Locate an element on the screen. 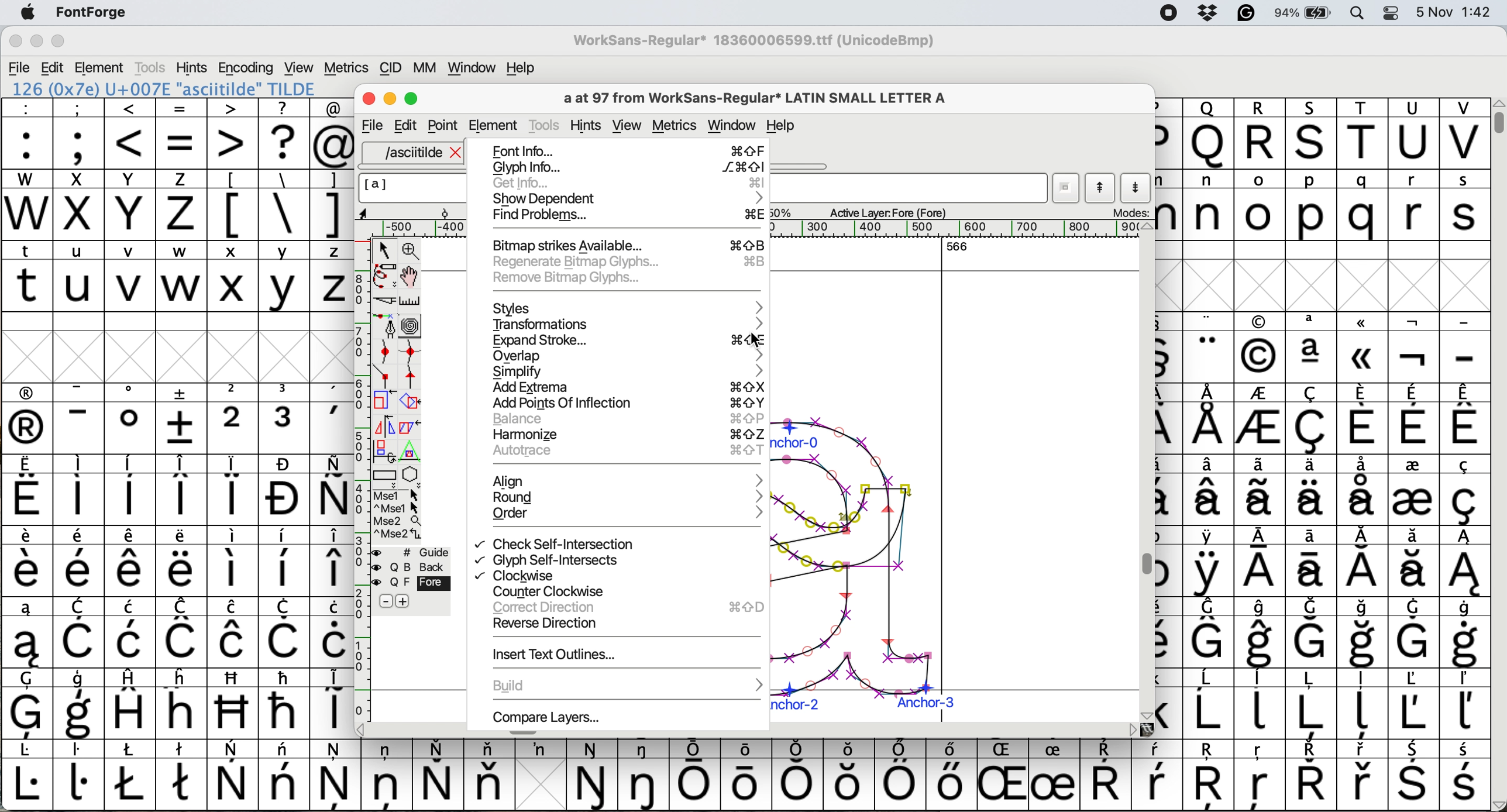  symbol is located at coordinates (1209, 348).